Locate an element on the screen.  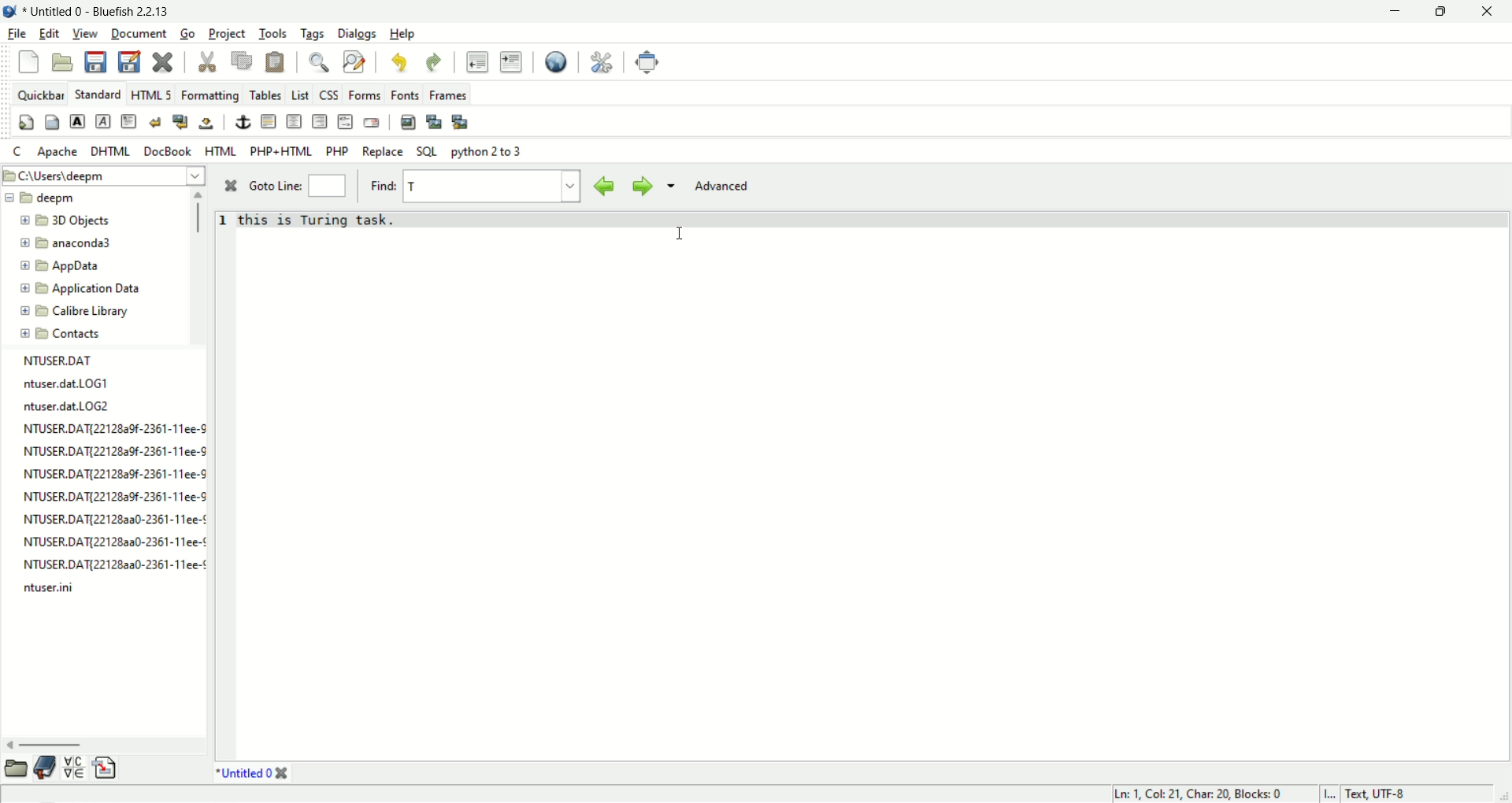
file browser is located at coordinates (15, 767).